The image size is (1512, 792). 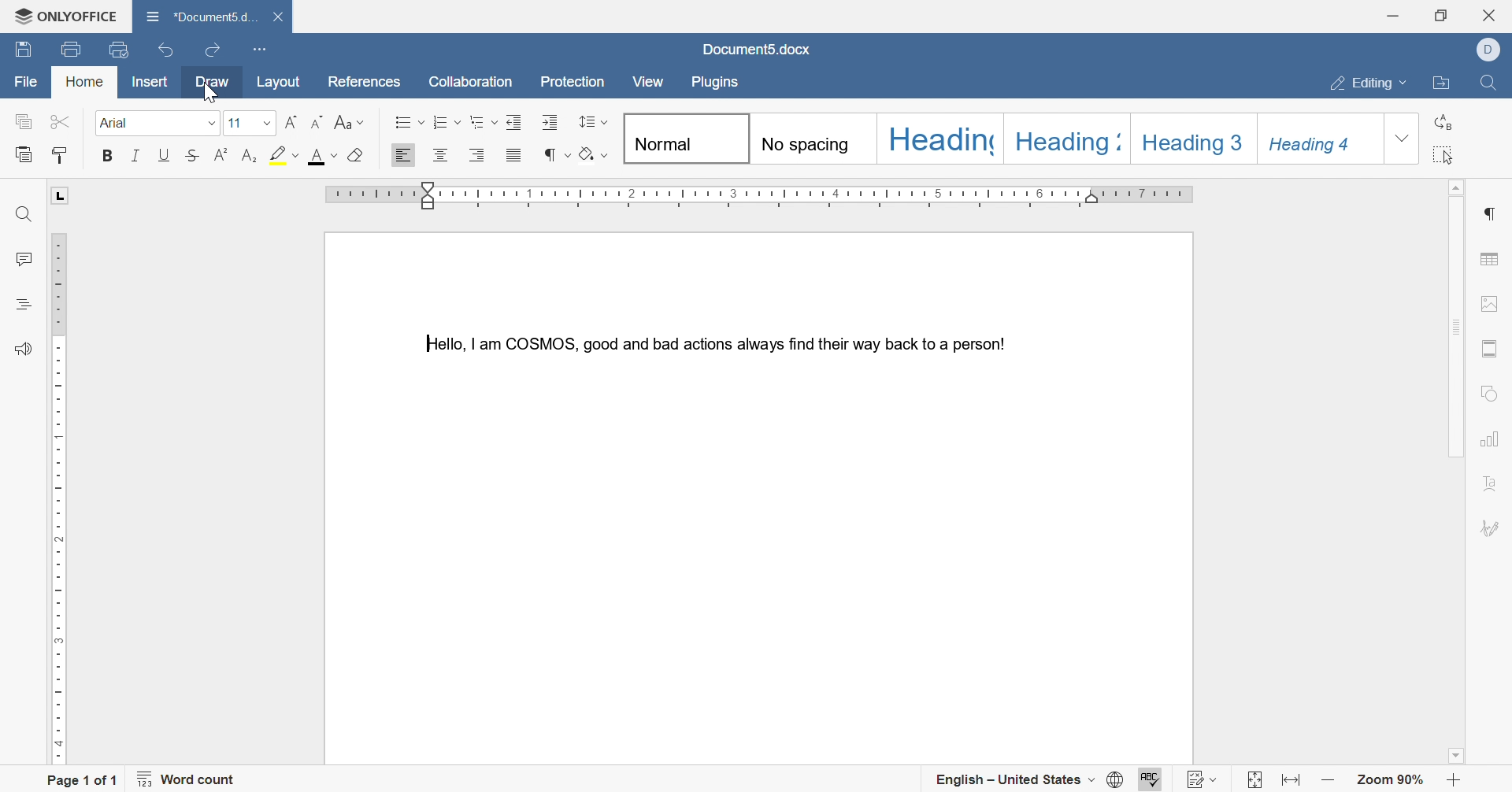 I want to click on open file location, so click(x=1444, y=85).